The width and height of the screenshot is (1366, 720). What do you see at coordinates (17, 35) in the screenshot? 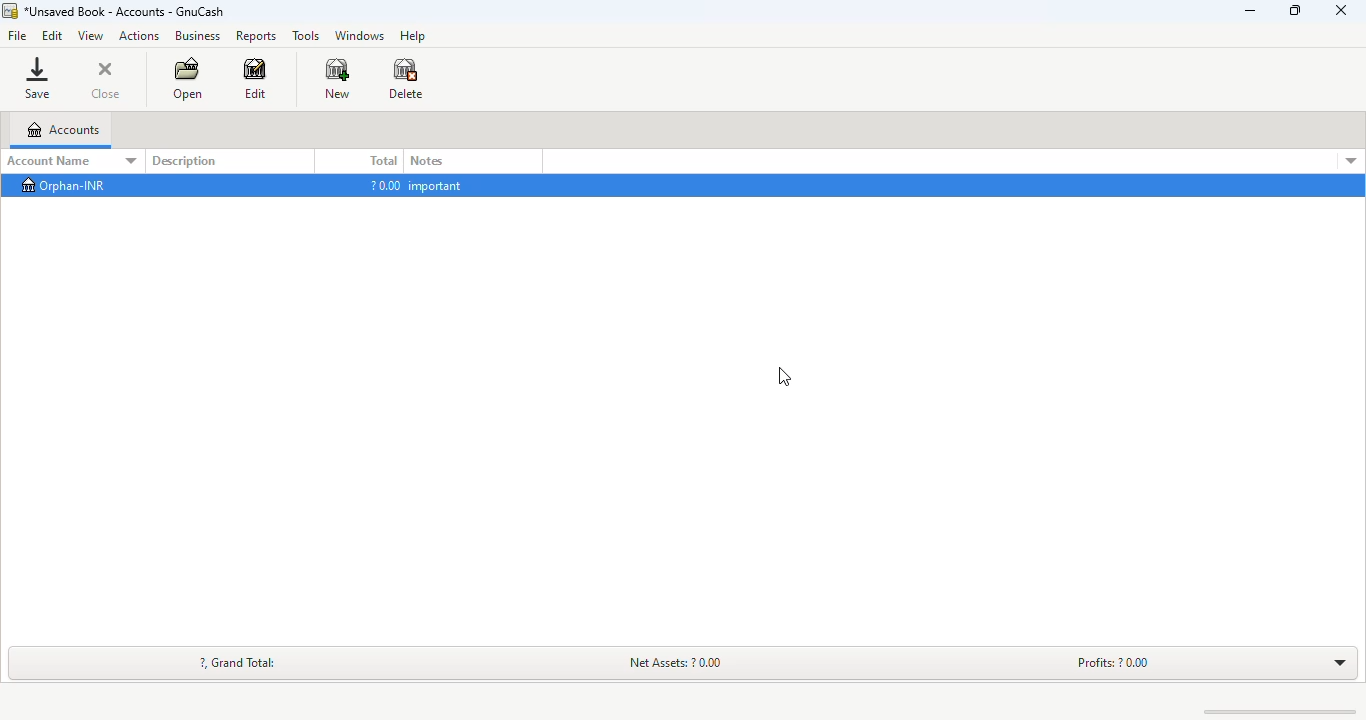
I see `file` at bounding box center [17, 35].